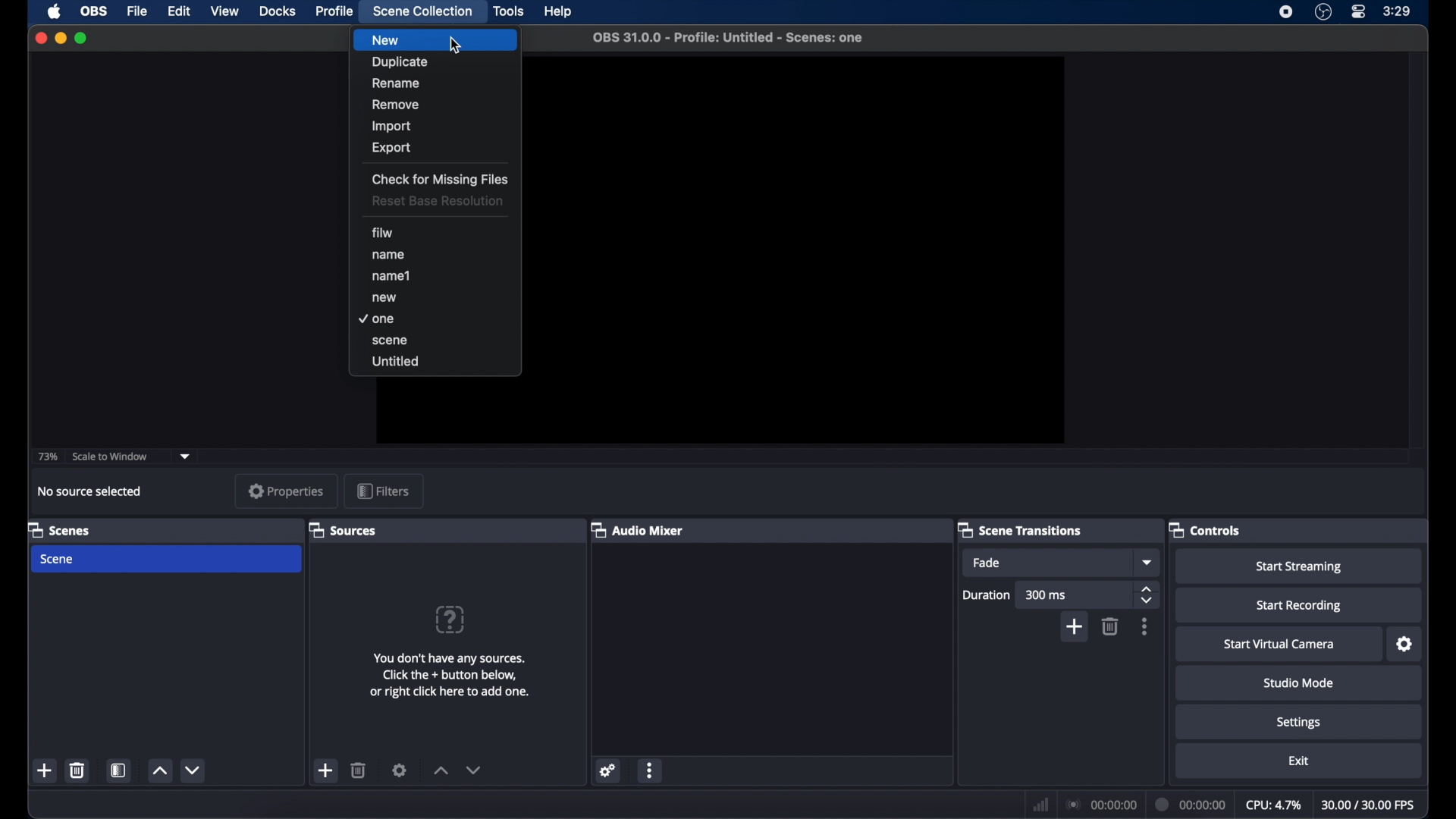 The image size is (1456, 819). I want to click on apple icon, so click(55, 12).